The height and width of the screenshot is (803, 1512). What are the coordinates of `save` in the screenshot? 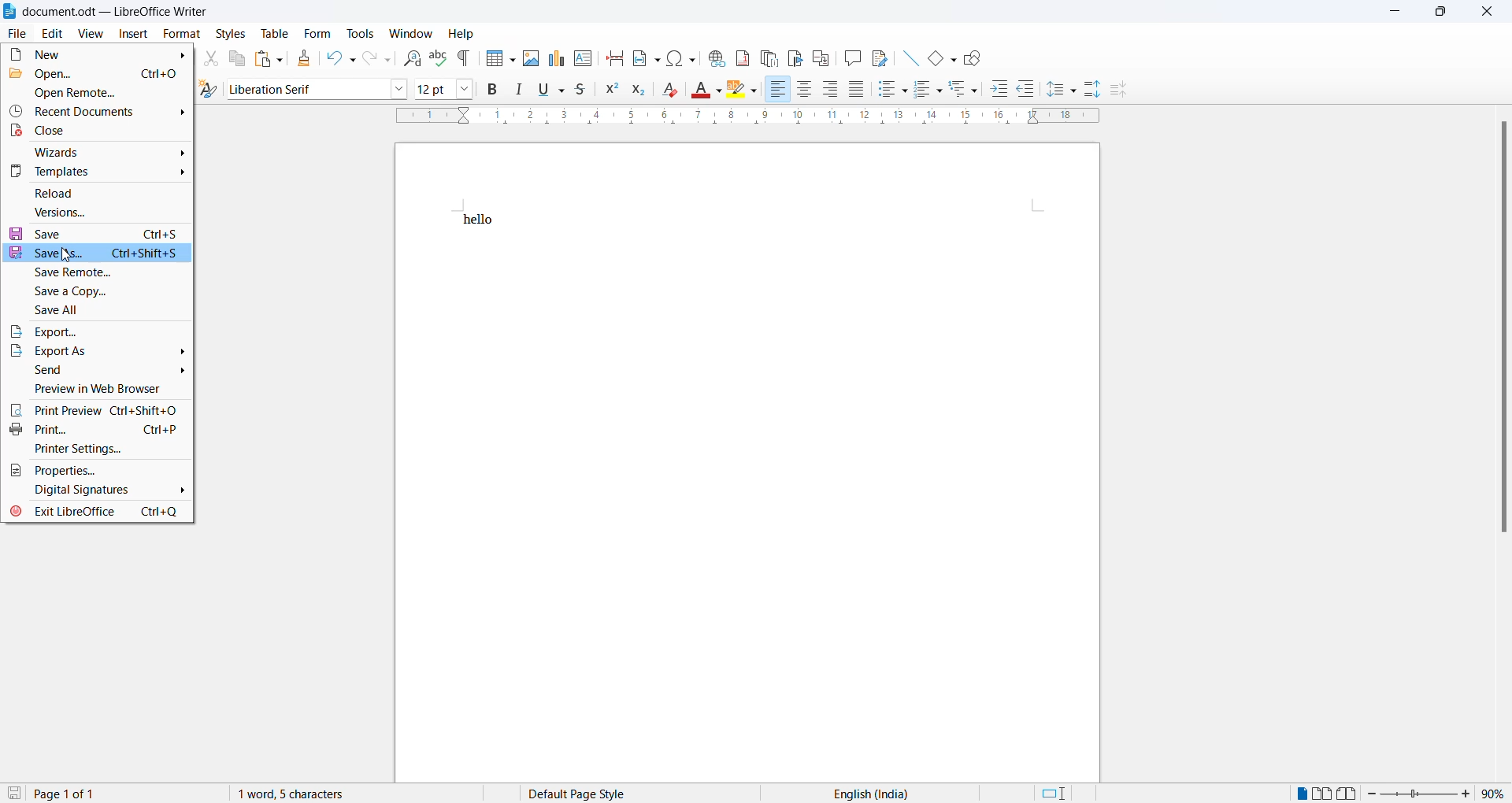 It's located at (13, 794).